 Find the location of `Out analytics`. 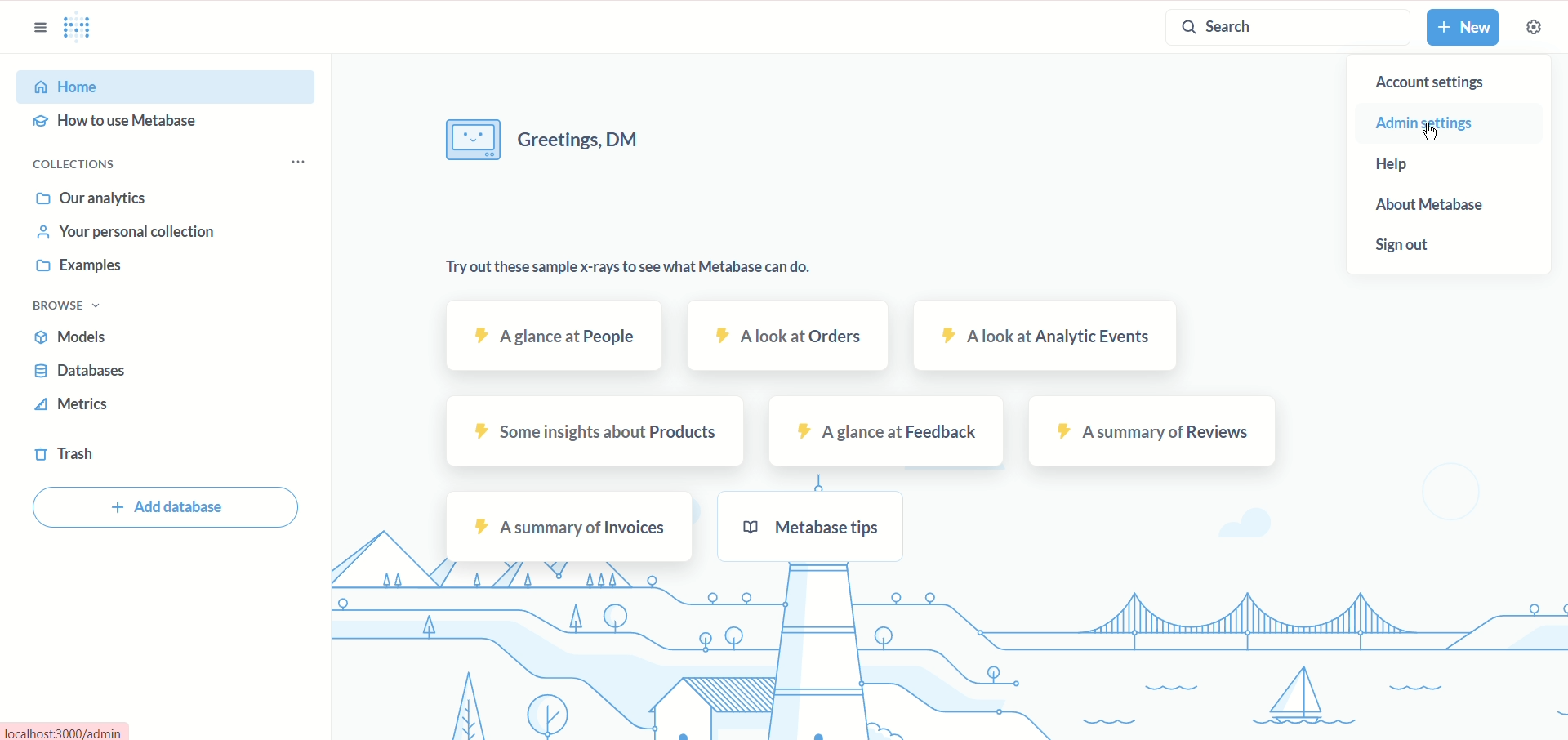

Out analytics is located at coordinates (124, 198).